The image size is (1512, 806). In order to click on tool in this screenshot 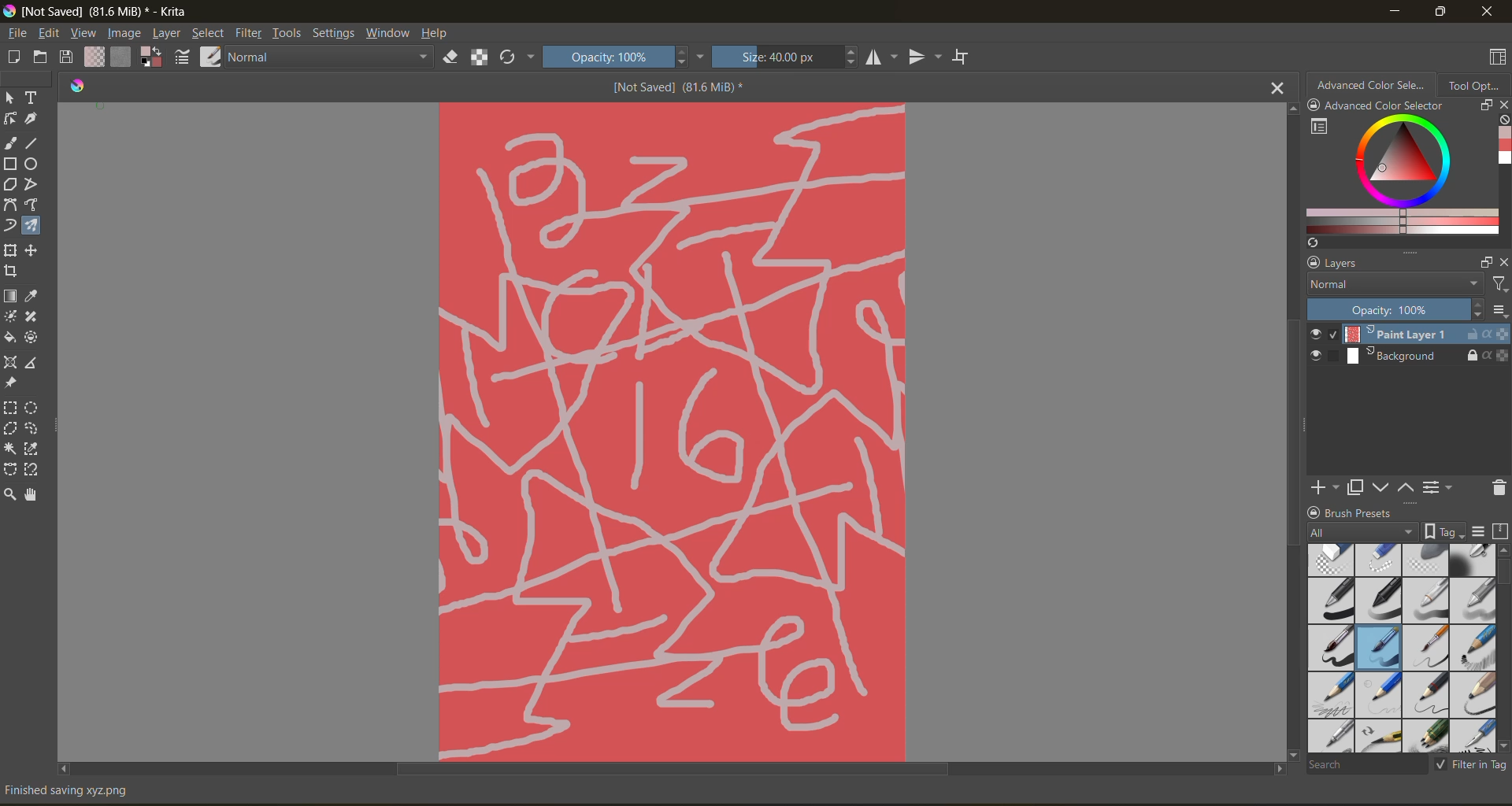, I will do `click(35, 205)`.